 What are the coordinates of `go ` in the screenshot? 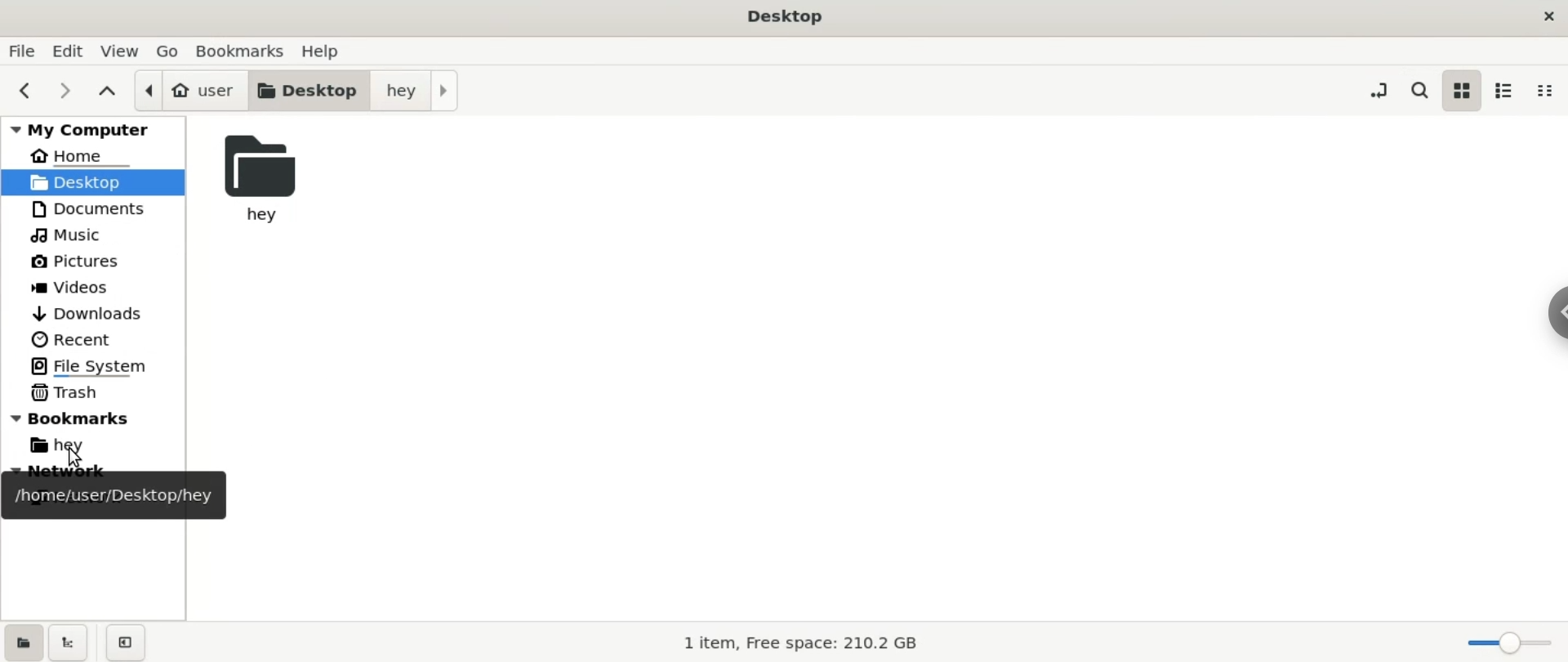 It's located at (168, 51).